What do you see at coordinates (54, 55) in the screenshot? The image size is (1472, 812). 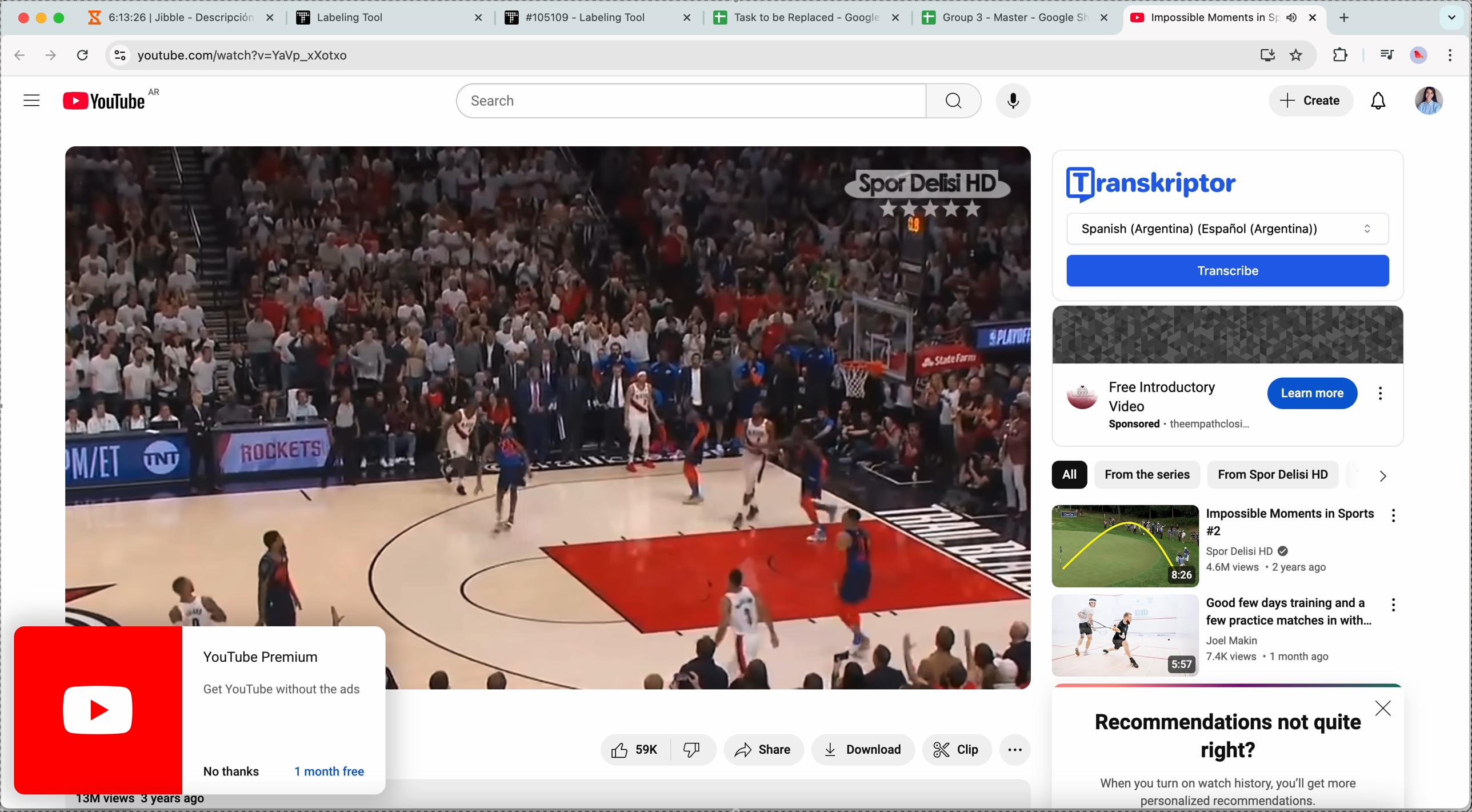 I see `foward` at bounding box center [54, 55].